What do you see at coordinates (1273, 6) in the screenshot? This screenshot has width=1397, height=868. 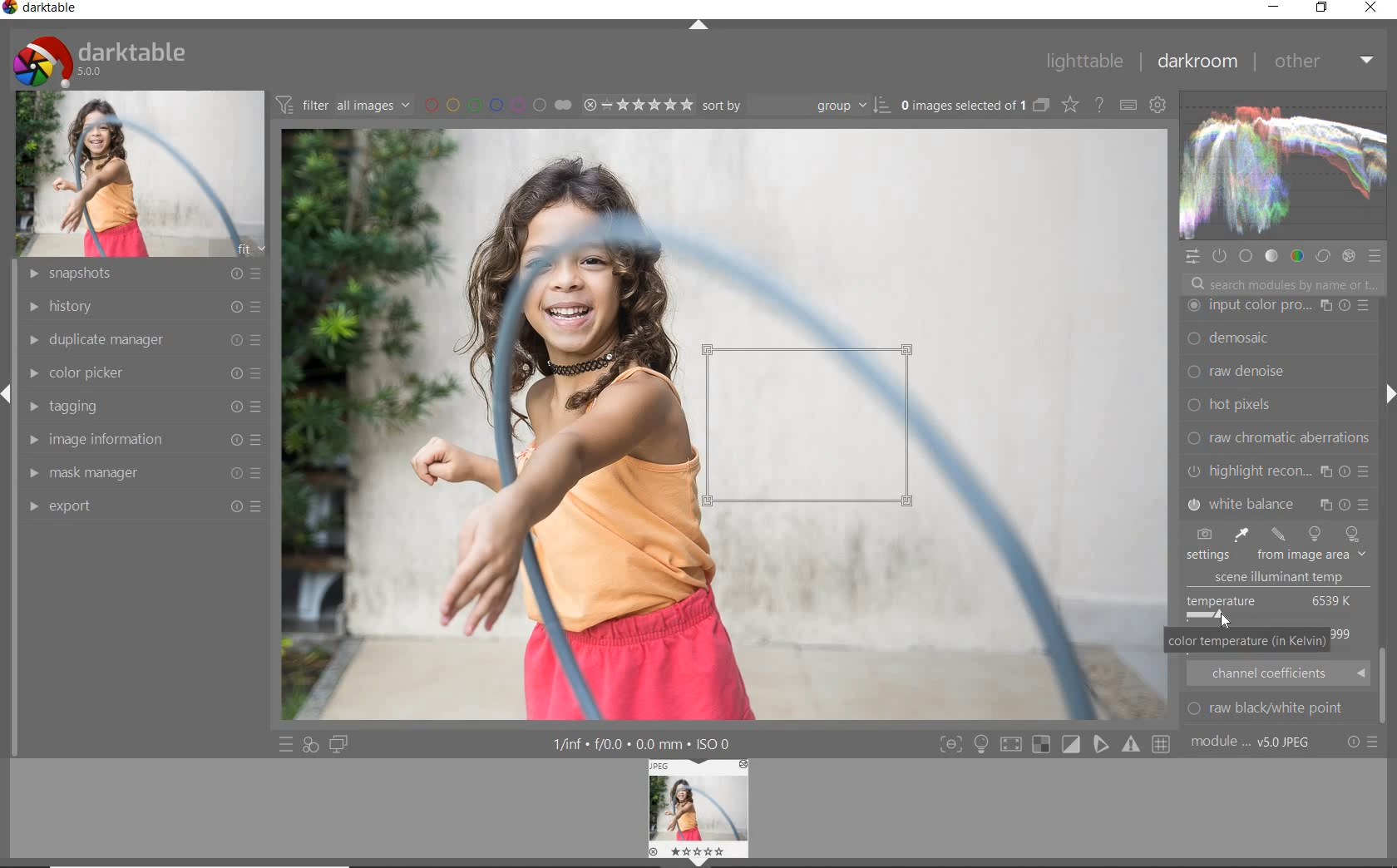 I see `minimize` at bounding box center [1273, 6].